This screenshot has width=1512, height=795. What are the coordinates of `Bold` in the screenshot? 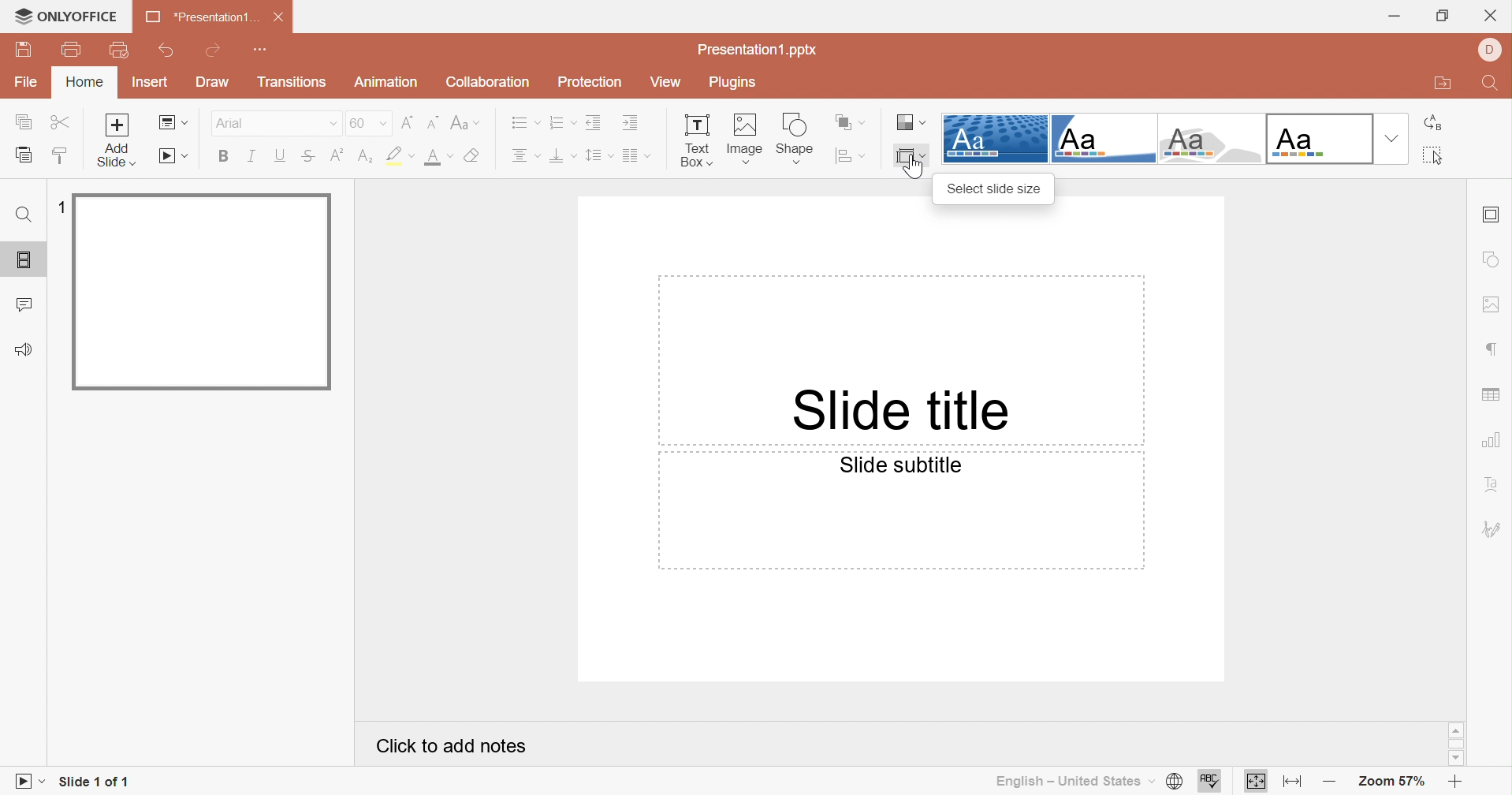 It's located at (224, 155).